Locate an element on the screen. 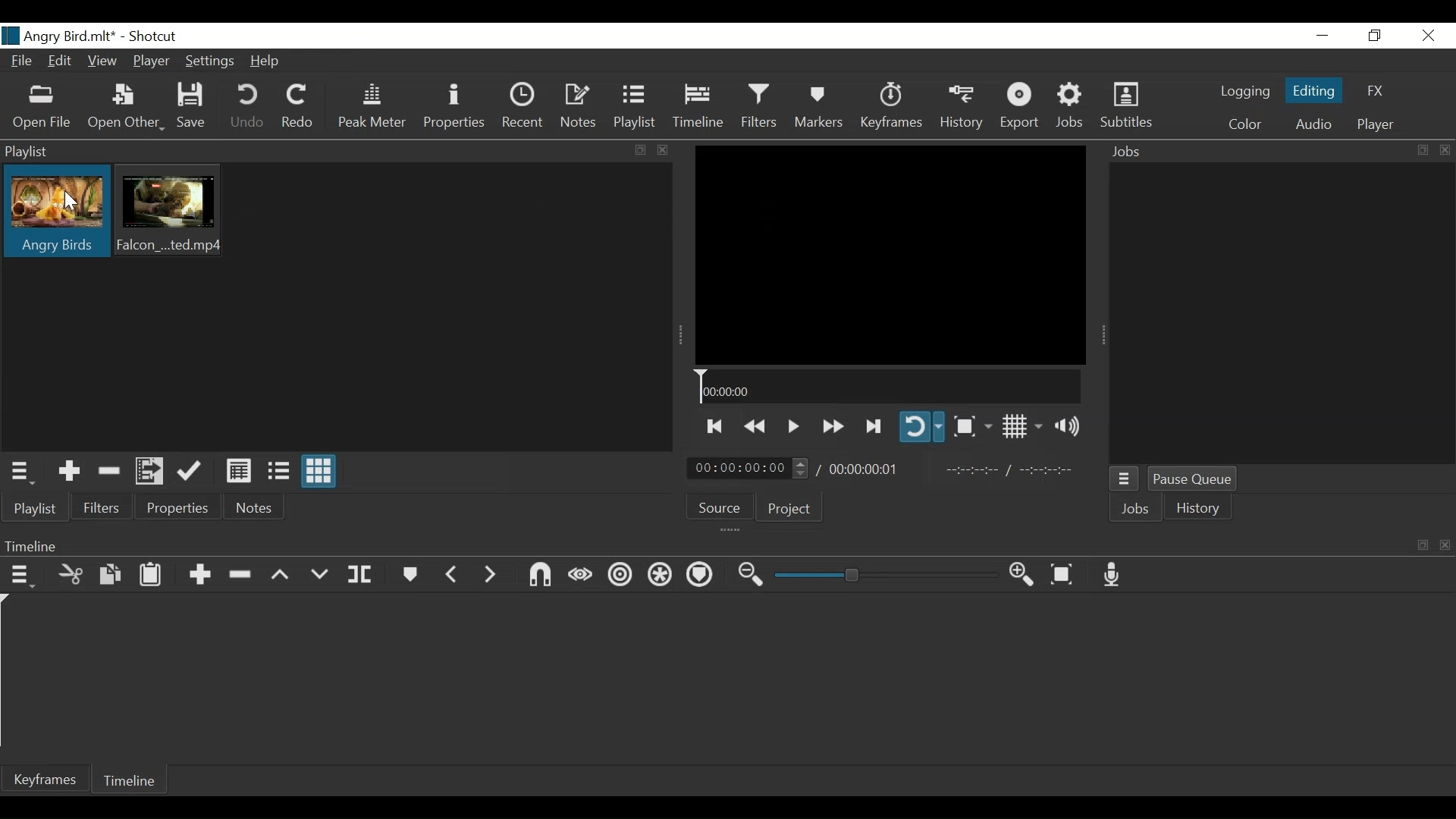 This screenshot has width=1456, height=819. View as files is located at coordinates (277, 469).